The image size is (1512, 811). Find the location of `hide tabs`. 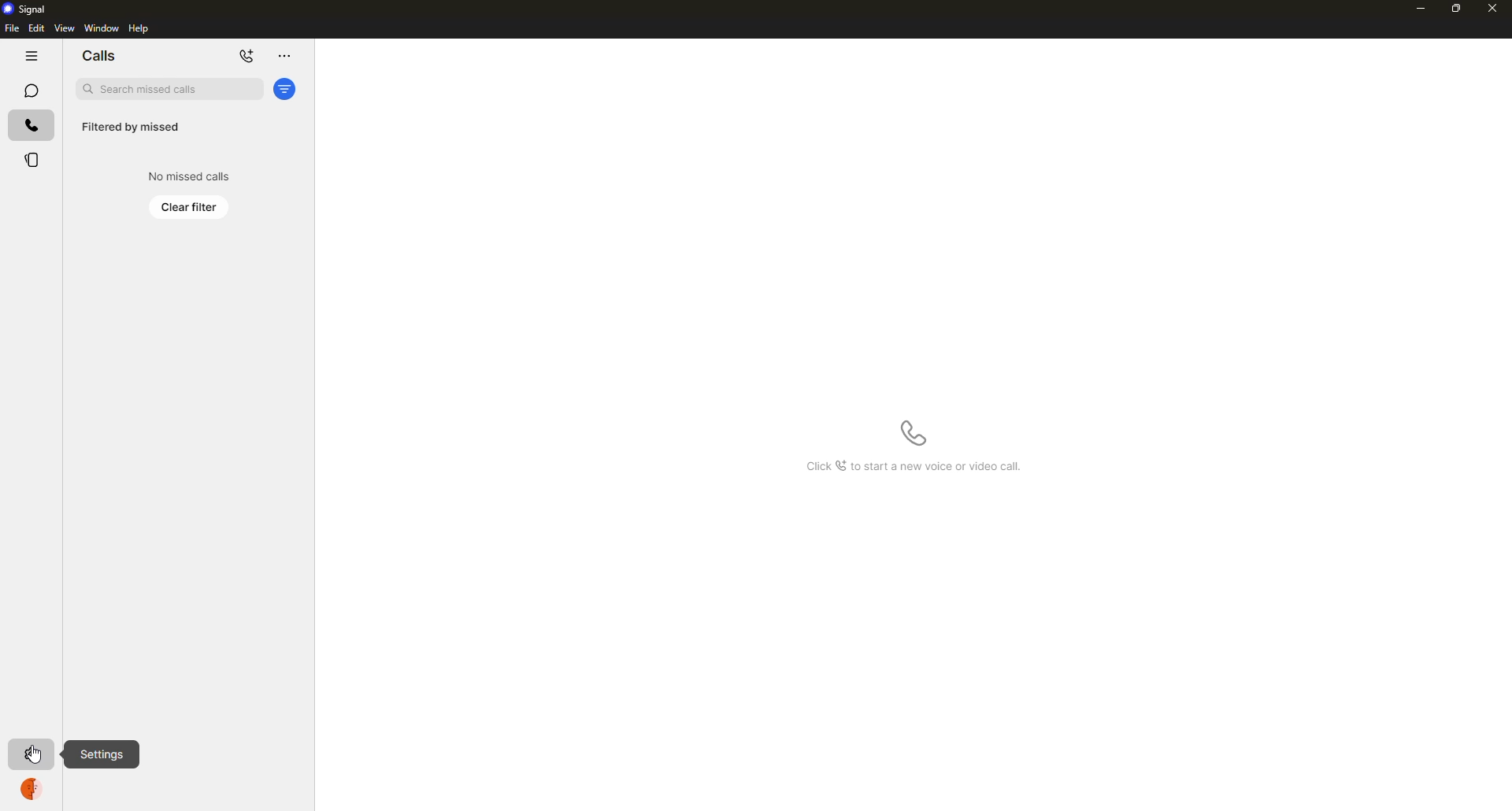

hide tabs is located at coordinates (31, 56).